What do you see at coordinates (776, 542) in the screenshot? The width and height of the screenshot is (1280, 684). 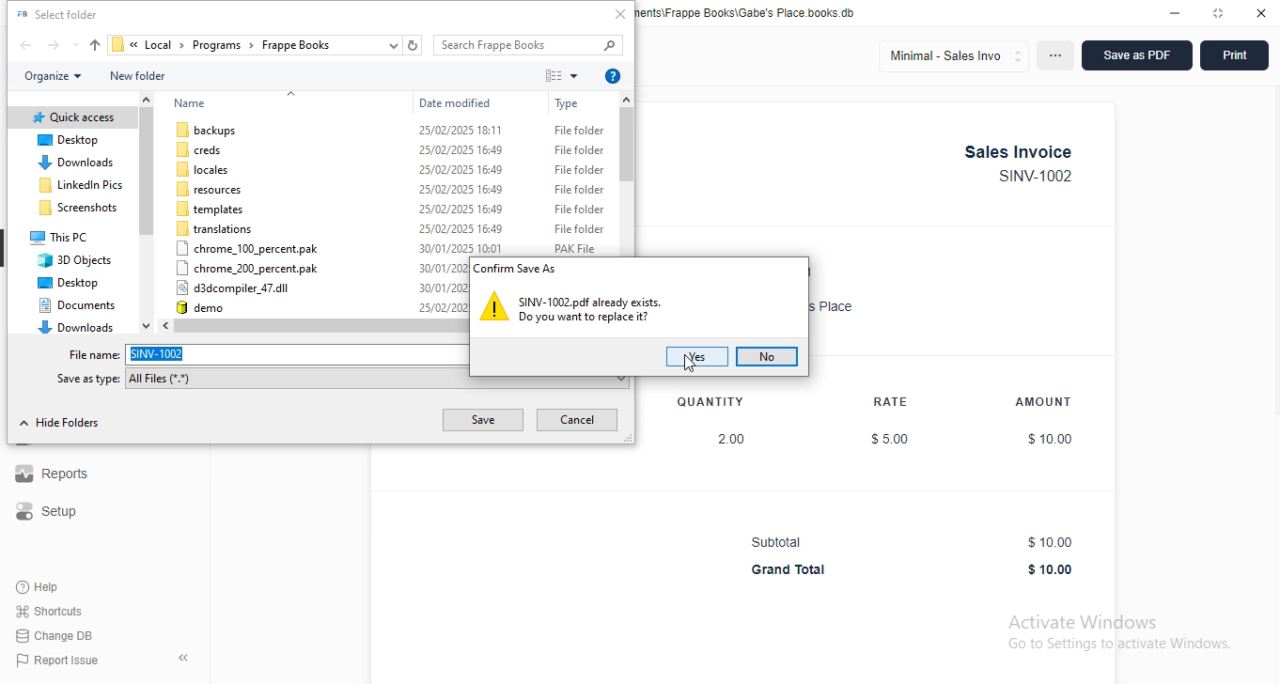 I see `Subtotal` at bounding box center [776, 542].